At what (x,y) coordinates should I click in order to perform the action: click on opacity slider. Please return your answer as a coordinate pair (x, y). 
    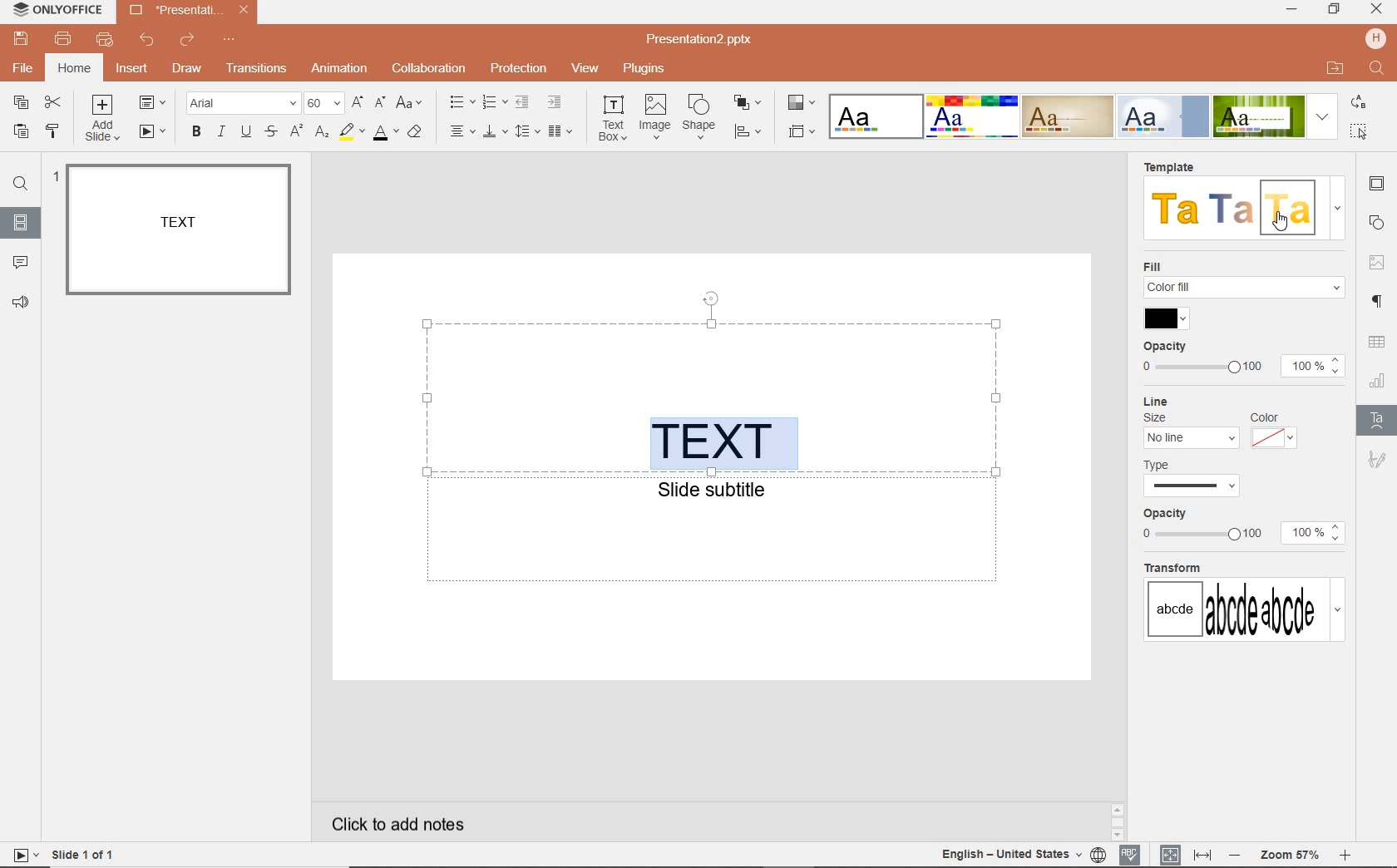
    Looking at the image, I should click on (1203, 365).